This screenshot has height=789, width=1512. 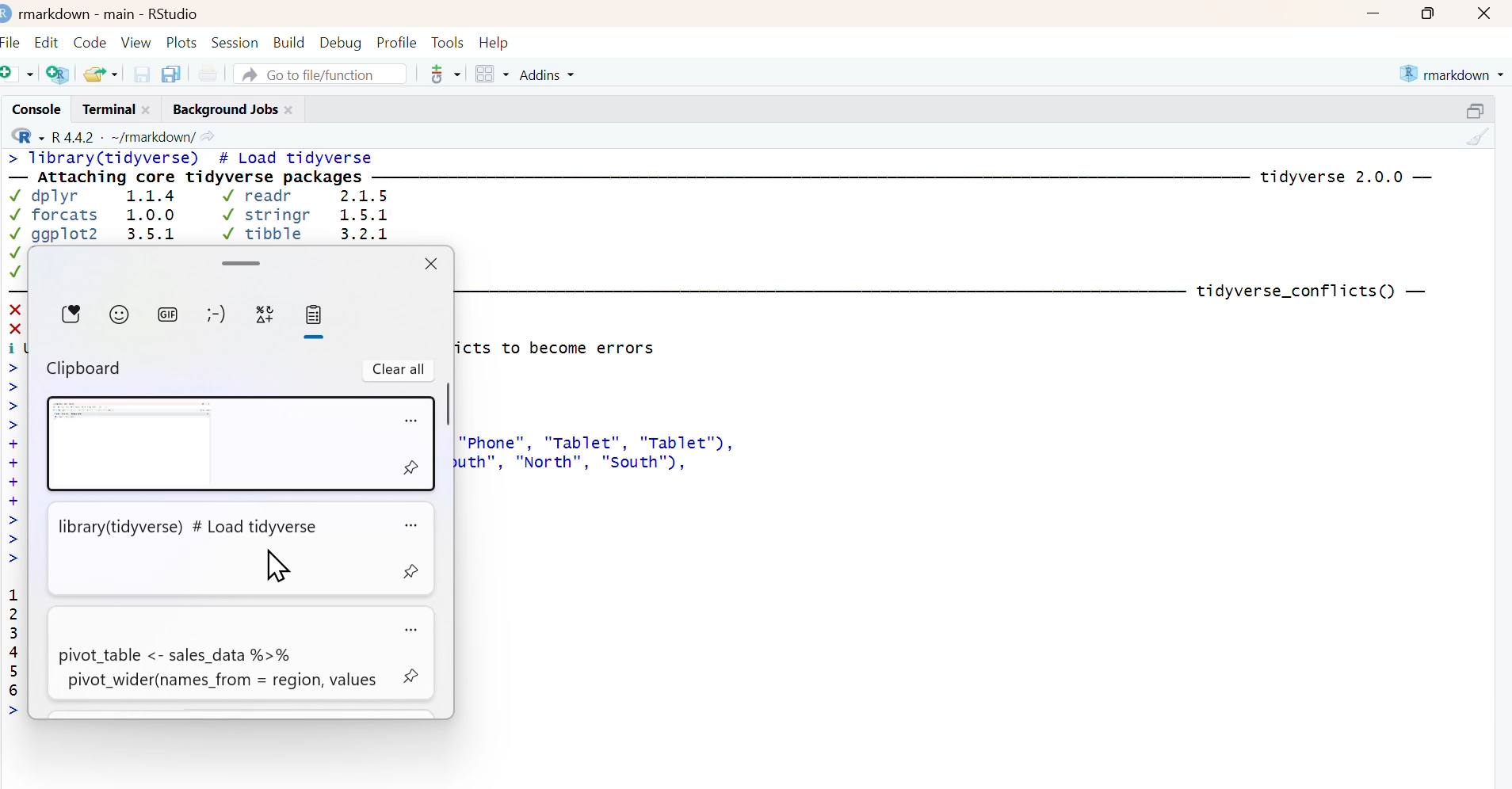 What do you see at coordinates (265, 318) in the screenshot?
I see `symbols` at bounding box center [265, 318].